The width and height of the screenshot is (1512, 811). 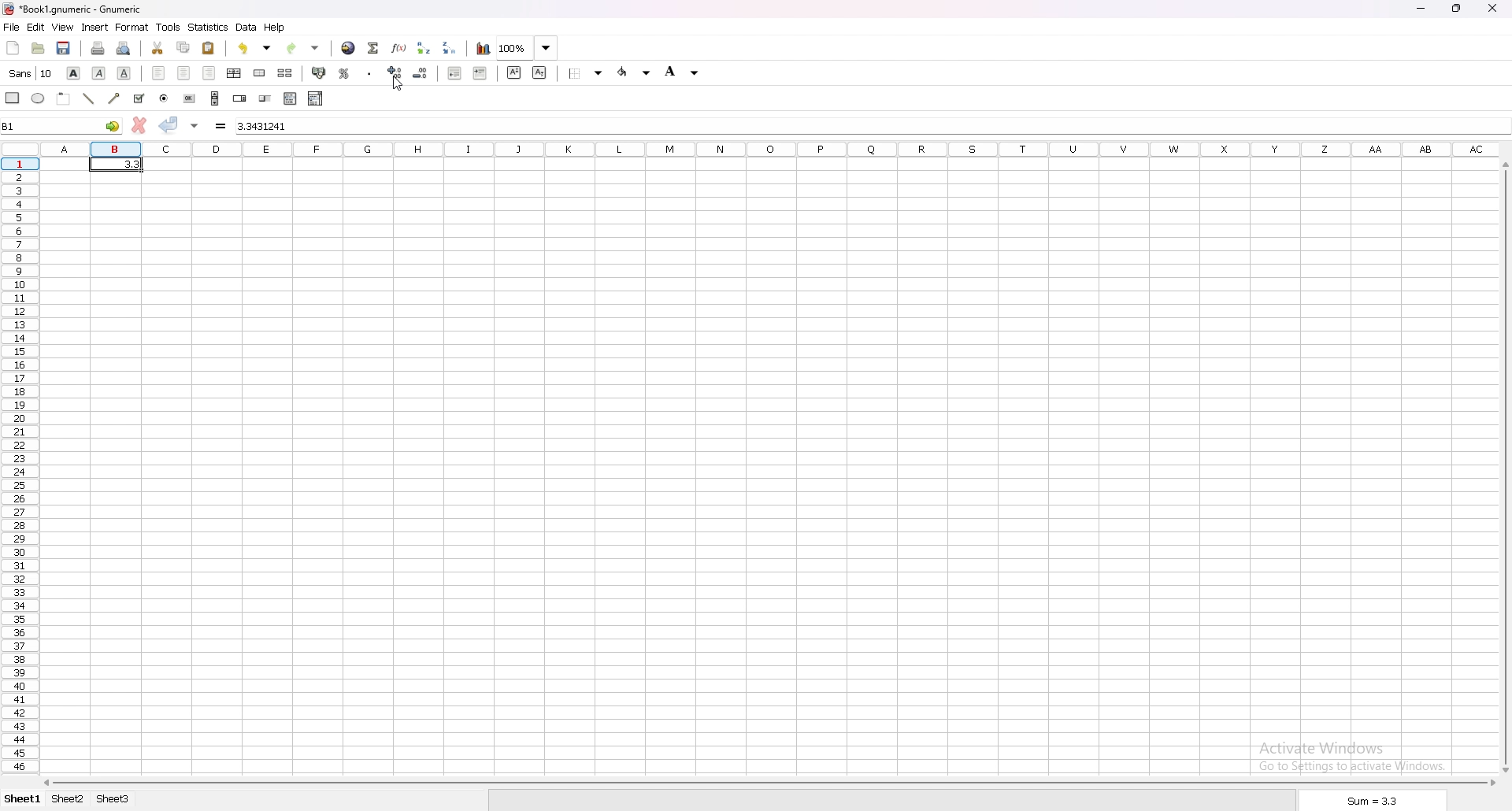 I want to click on summation, so click(x=375, y=48).